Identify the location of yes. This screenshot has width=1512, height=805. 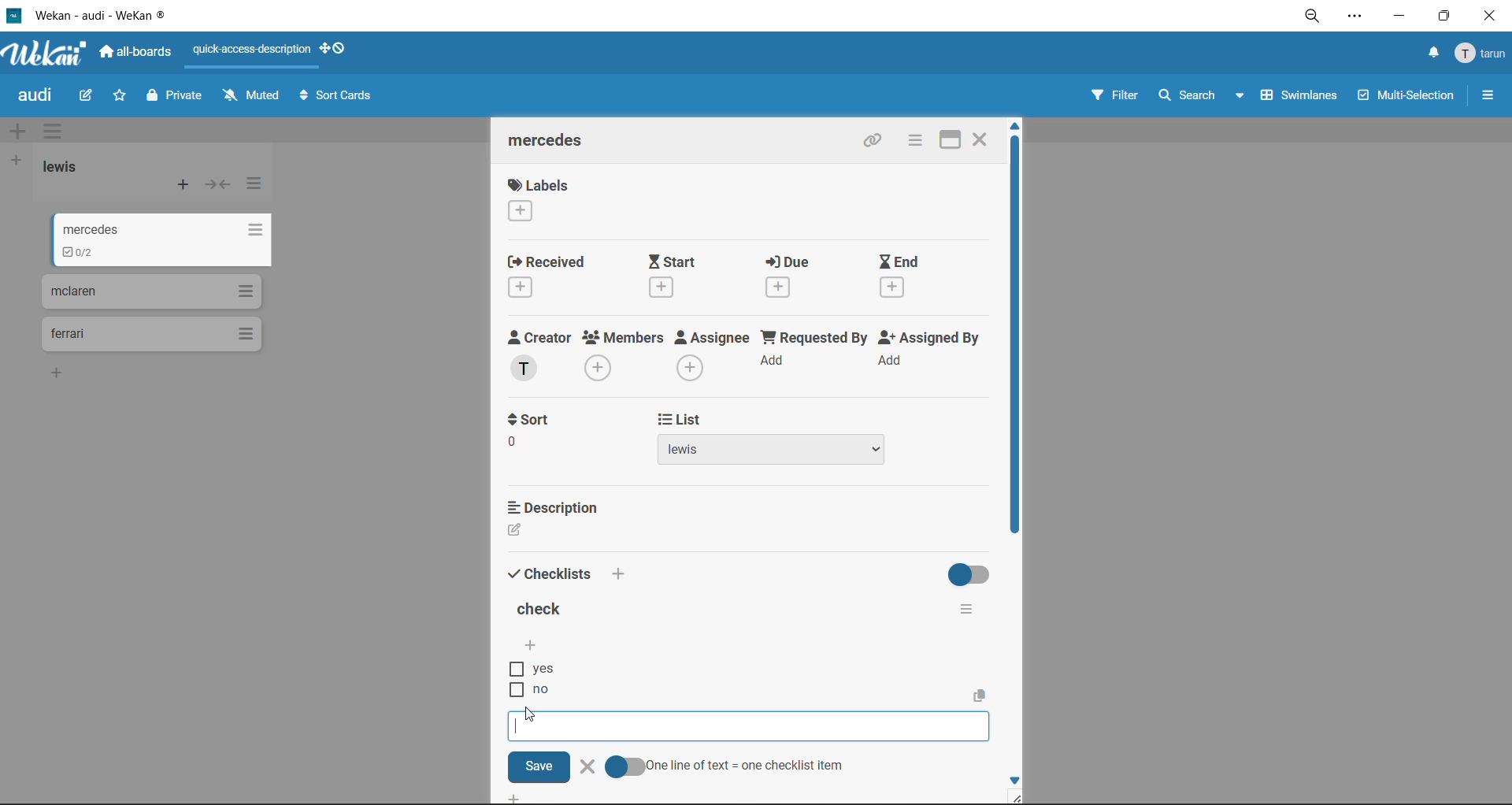
(543, 668).